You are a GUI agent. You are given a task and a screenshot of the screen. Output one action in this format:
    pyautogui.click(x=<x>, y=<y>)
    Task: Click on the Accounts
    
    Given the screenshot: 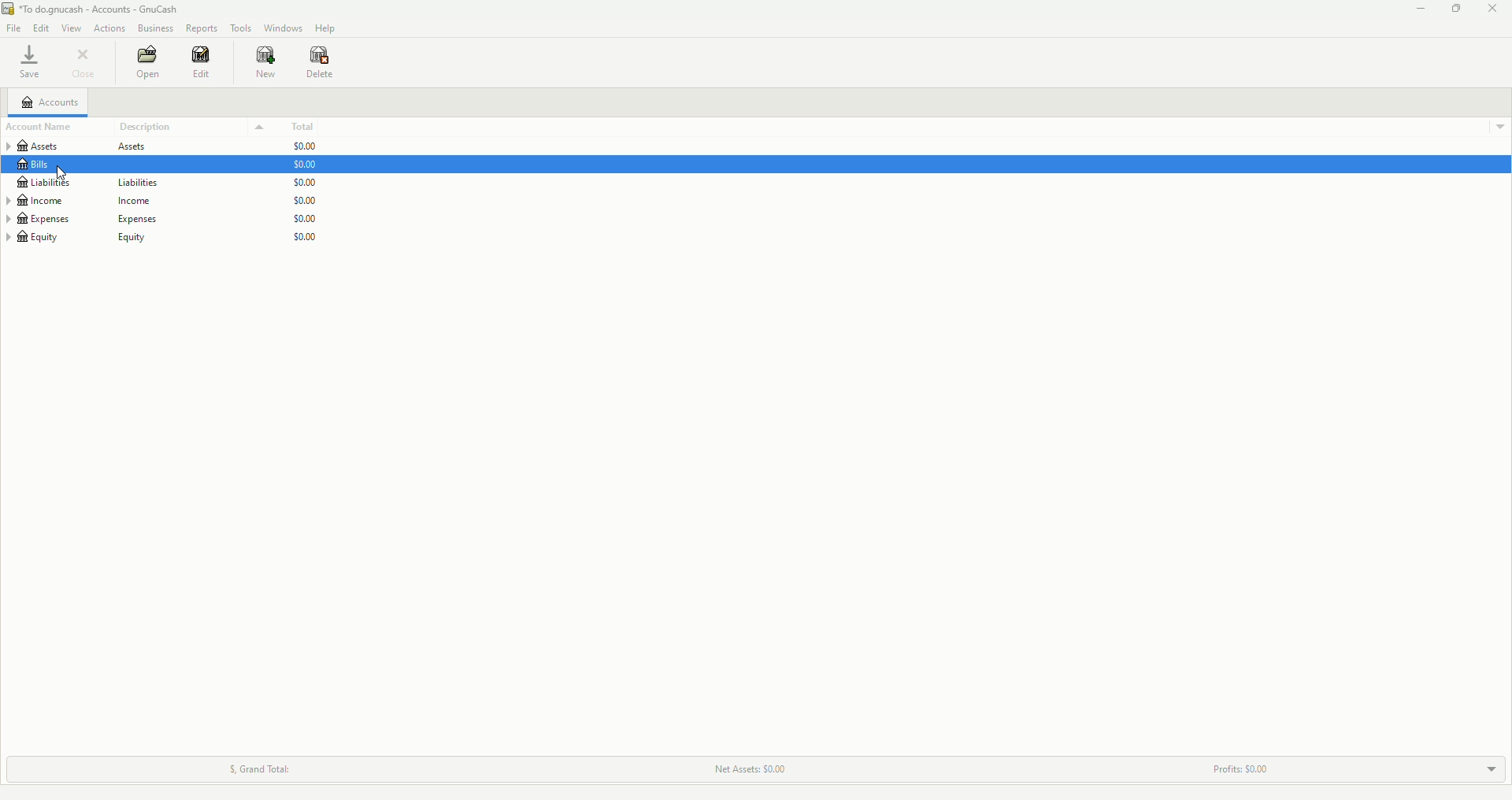 What is the action you would take?
    pyautogui.click(x=54, y=102)
    